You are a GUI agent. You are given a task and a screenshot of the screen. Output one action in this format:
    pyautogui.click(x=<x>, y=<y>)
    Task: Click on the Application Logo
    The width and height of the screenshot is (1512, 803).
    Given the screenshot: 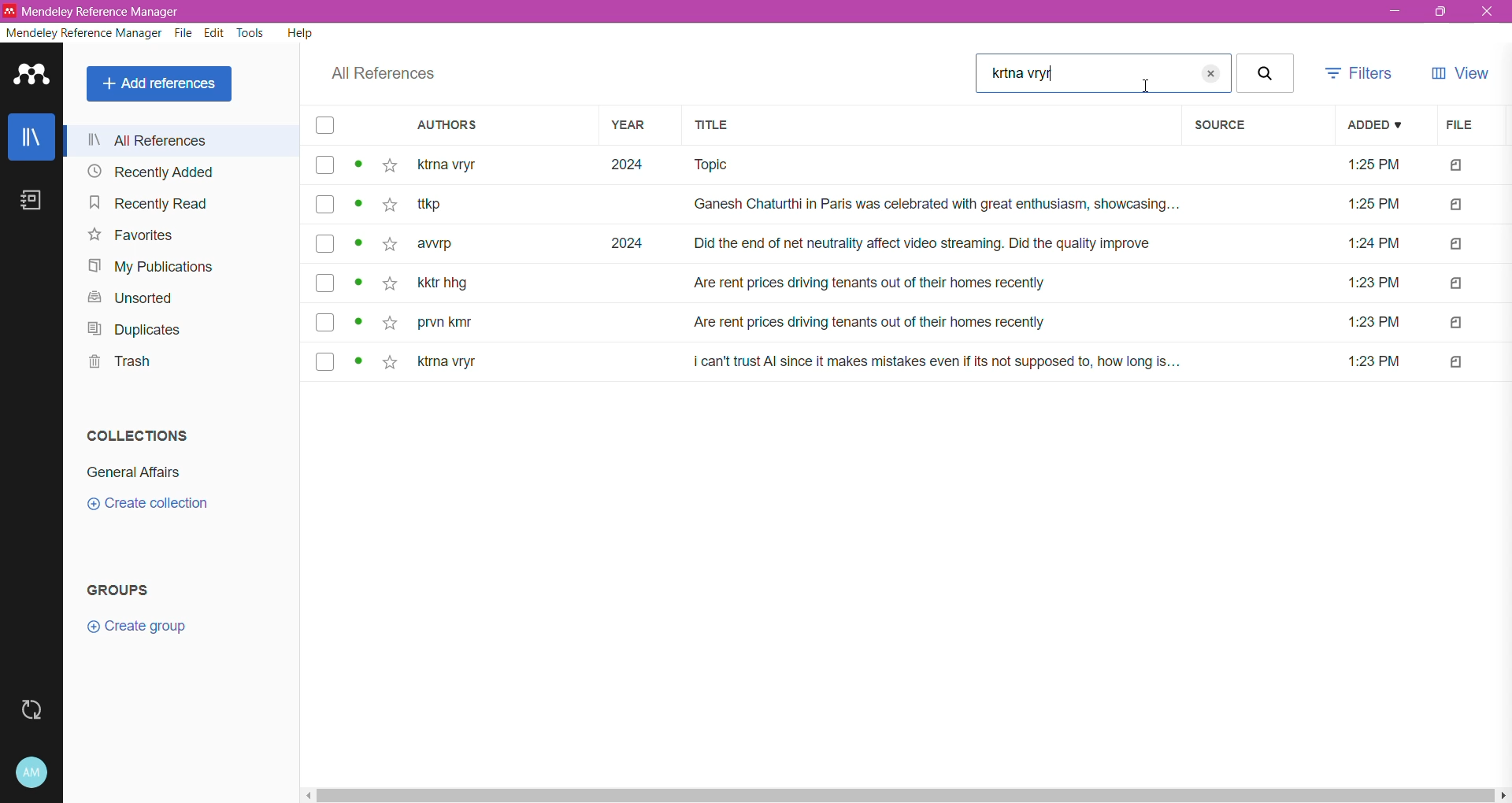 What is the action you would take?
    pyautogui.click(x=32, y=79)
    